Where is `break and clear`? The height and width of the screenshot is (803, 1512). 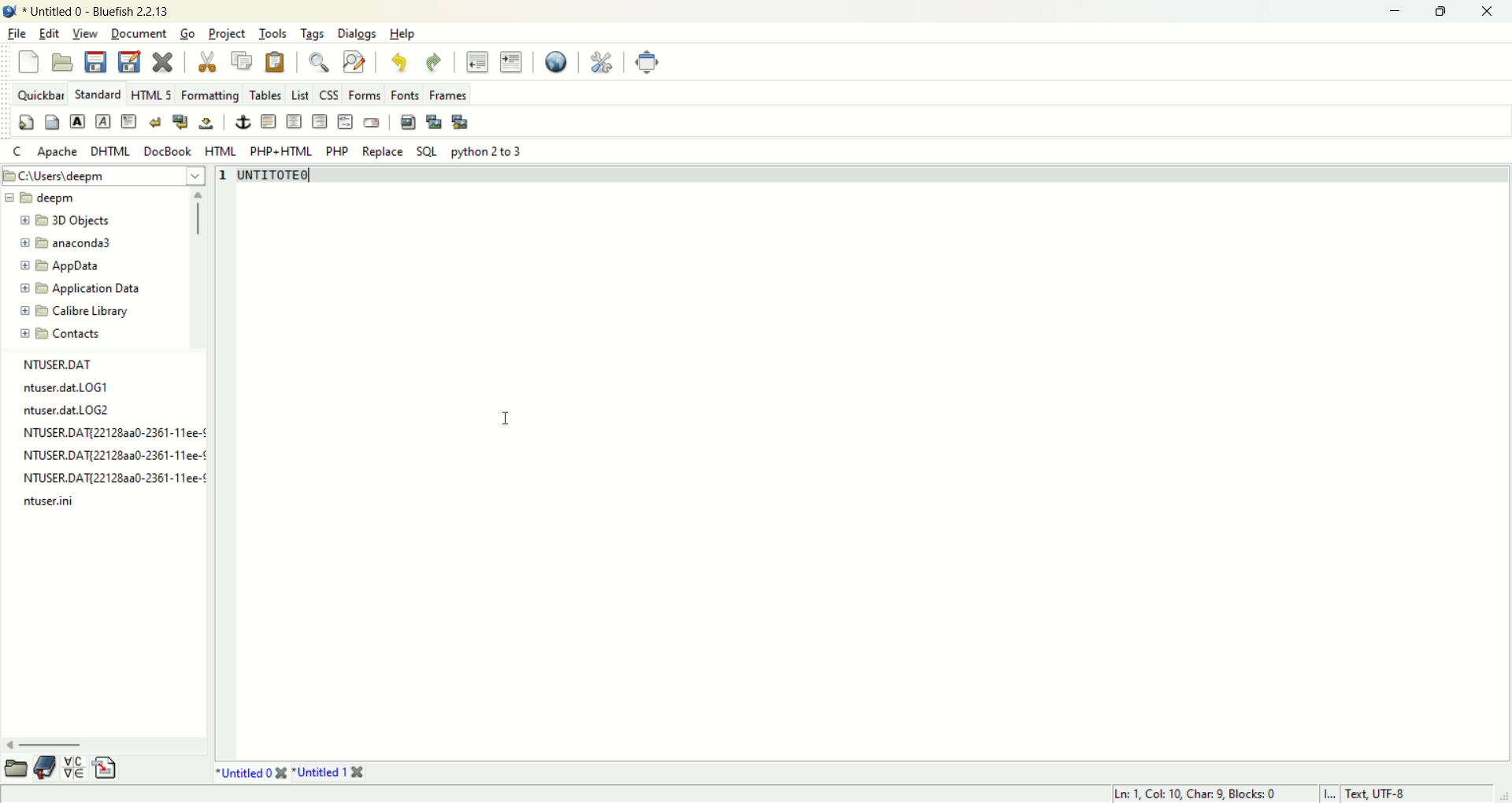
break and clear is located at coordinates (179, 124).